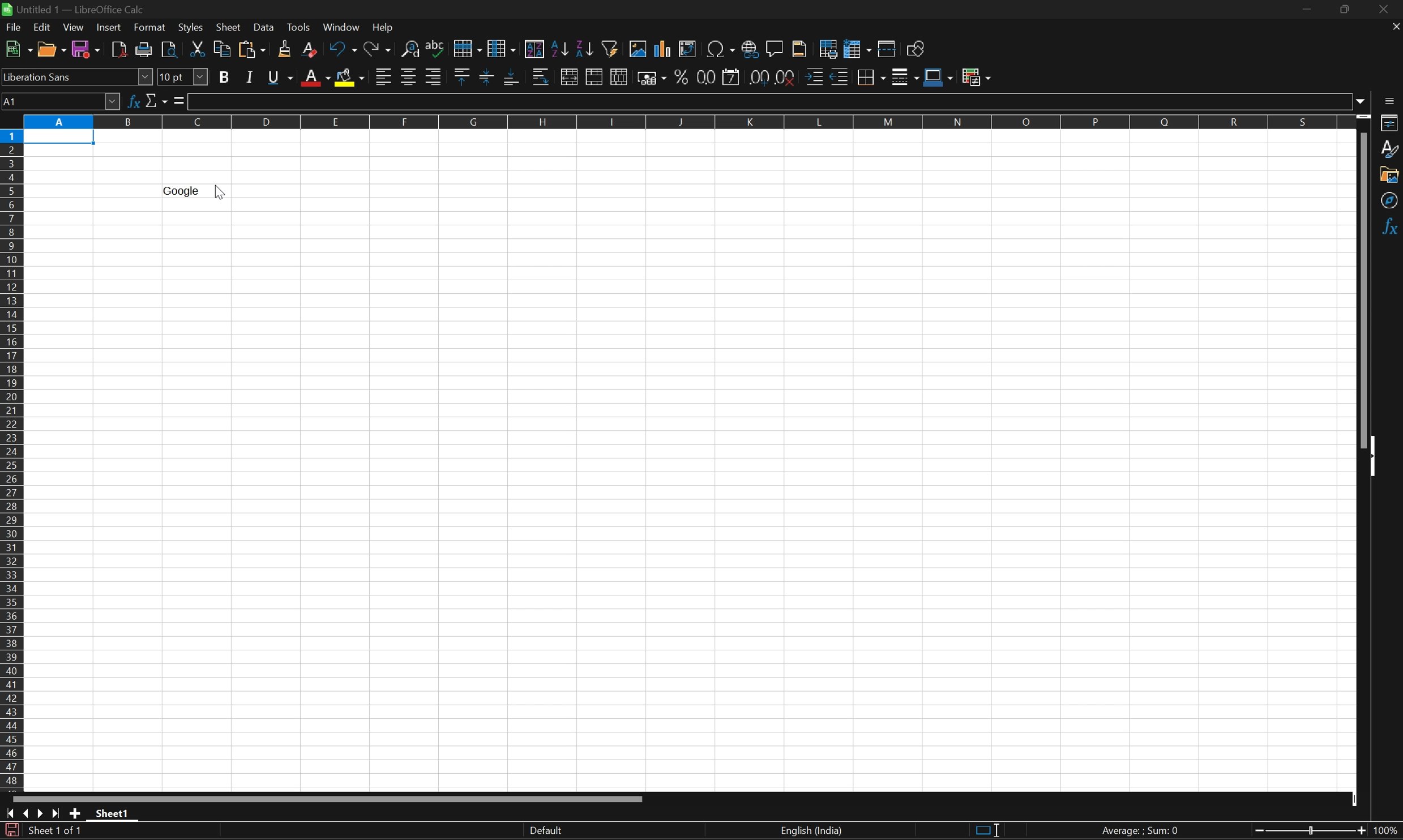 This screenshot has width=1403, height=840. I want to click on Average: ; Sum: 0, so click(1143, 832).